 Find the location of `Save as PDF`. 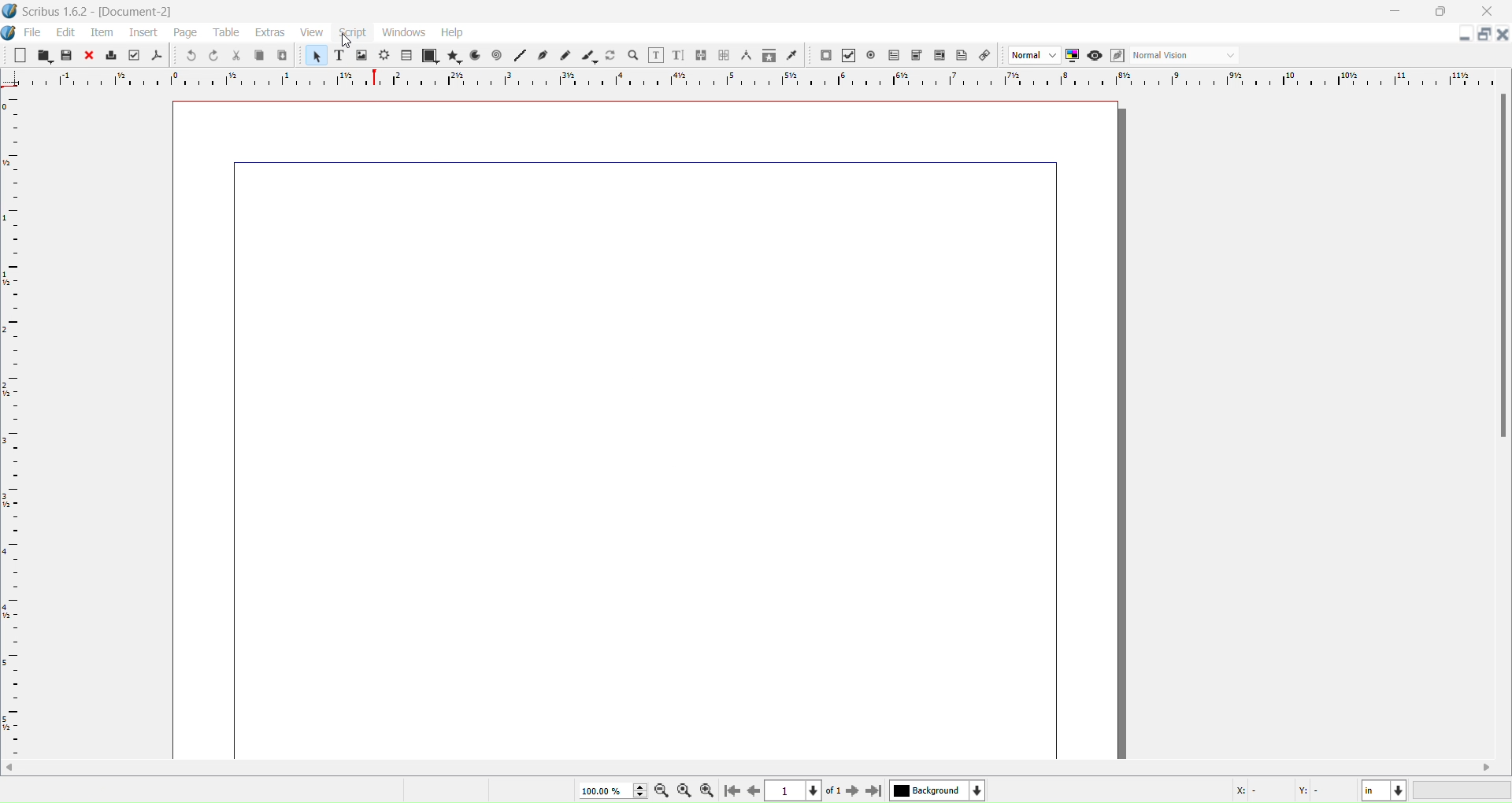

Save as PDF is located at coordinates (157, 56).